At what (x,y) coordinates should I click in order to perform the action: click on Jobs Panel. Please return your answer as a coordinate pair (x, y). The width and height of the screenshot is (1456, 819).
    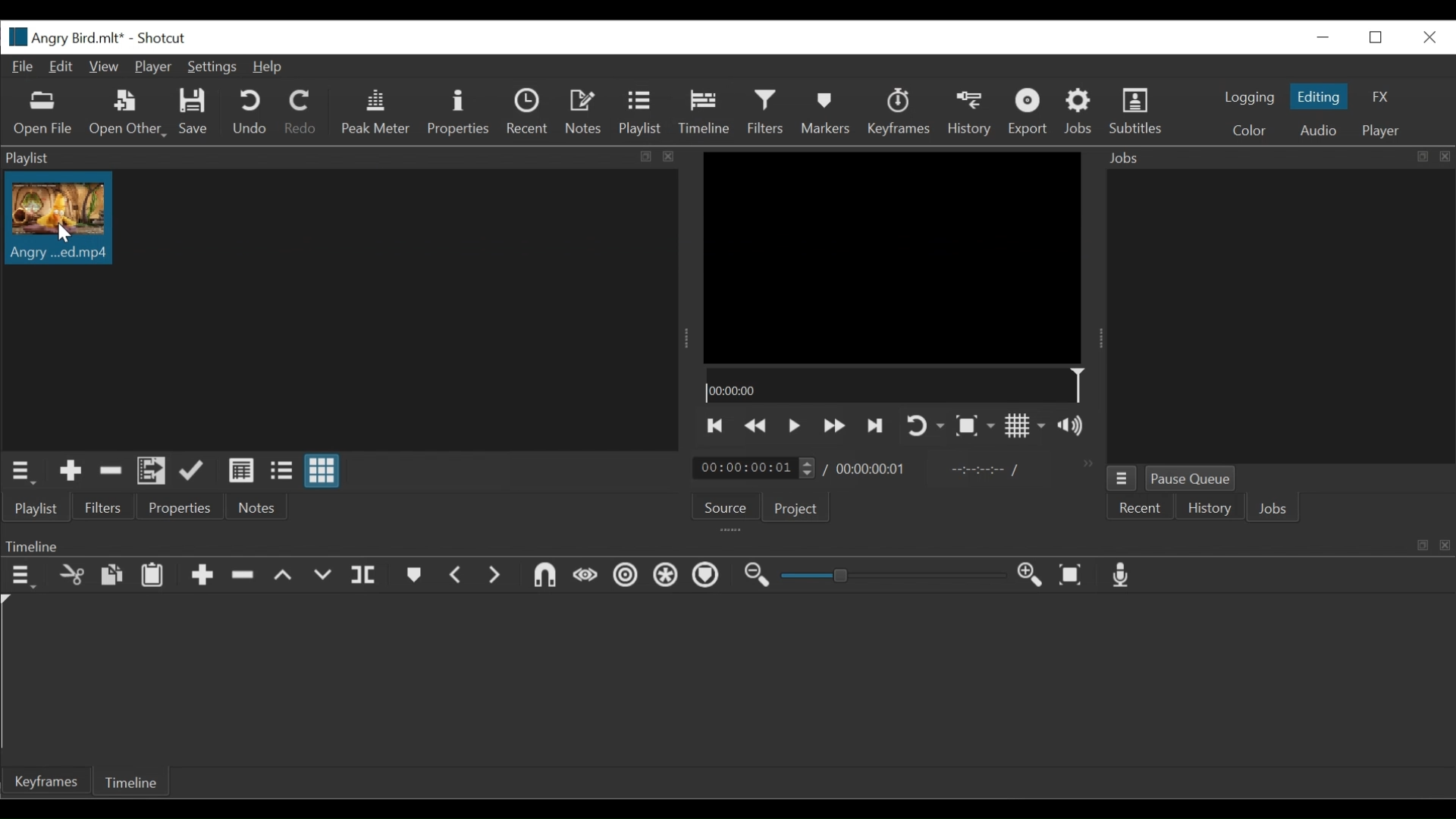
    Looking at the image, I should click on (1279, 158).